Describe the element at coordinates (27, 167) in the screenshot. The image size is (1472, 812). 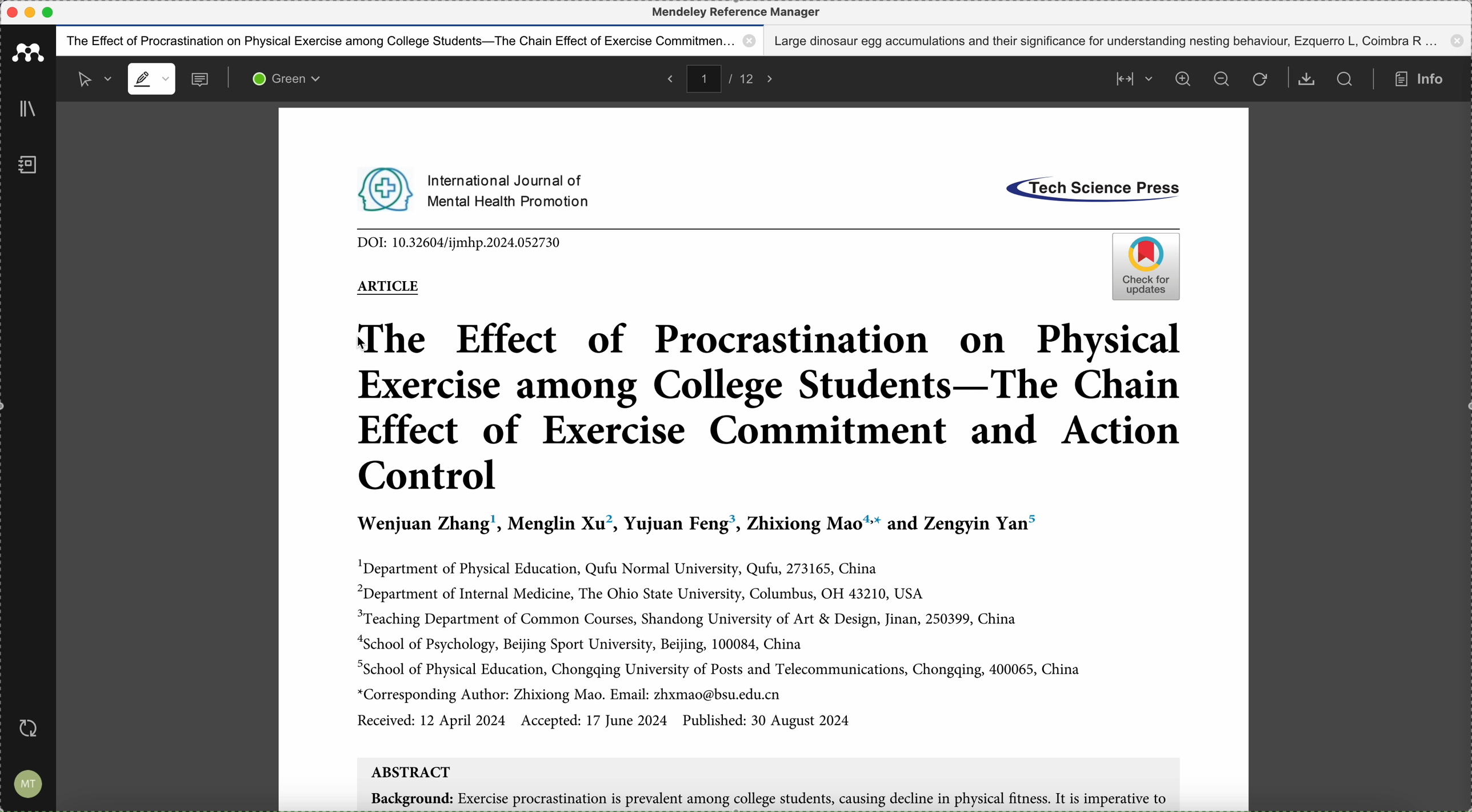
I see `notebook` at that location.